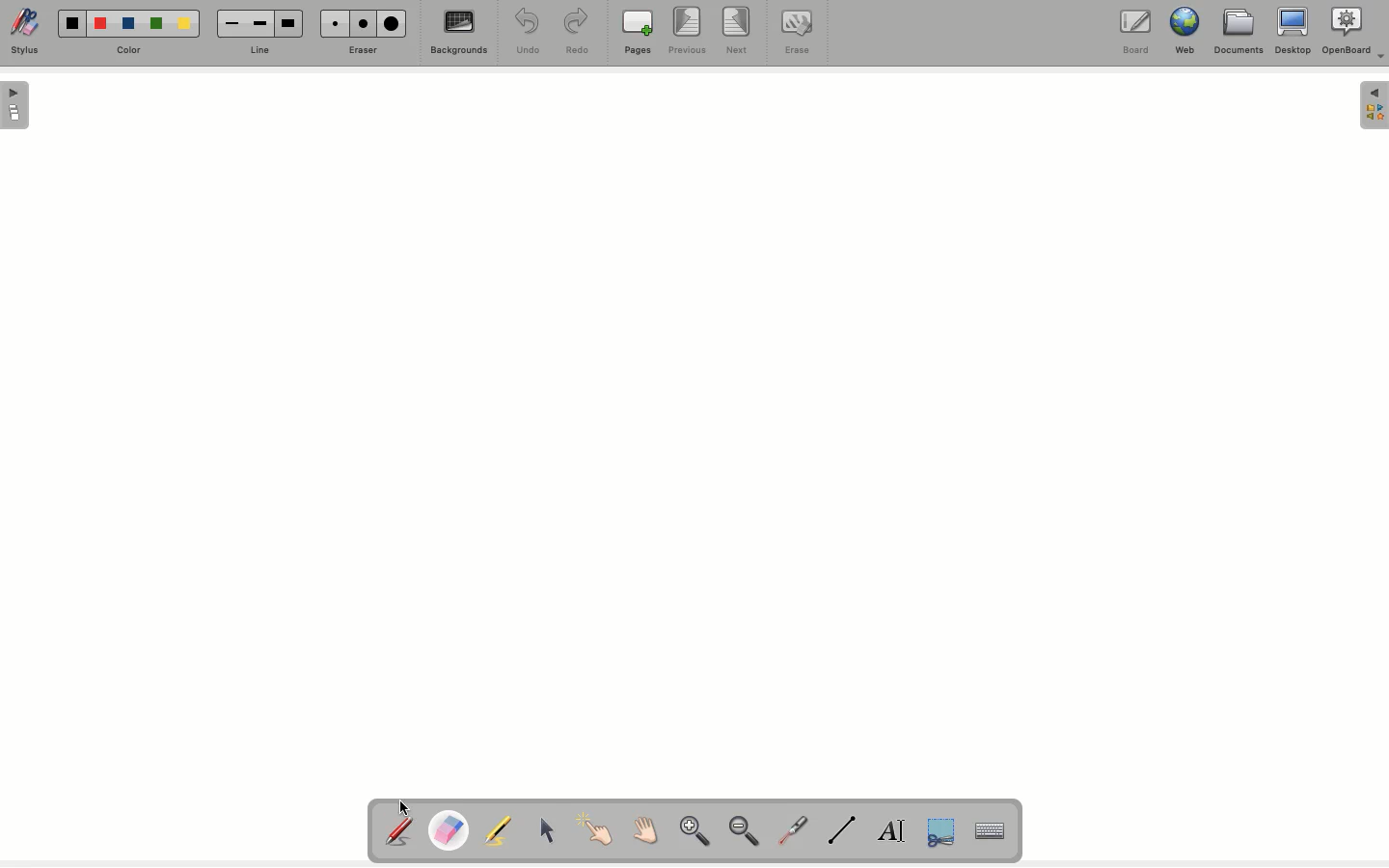 Image resolution: width=1389 pixels, height=868 pixels. I want to click on Medium, so click(366, 24).